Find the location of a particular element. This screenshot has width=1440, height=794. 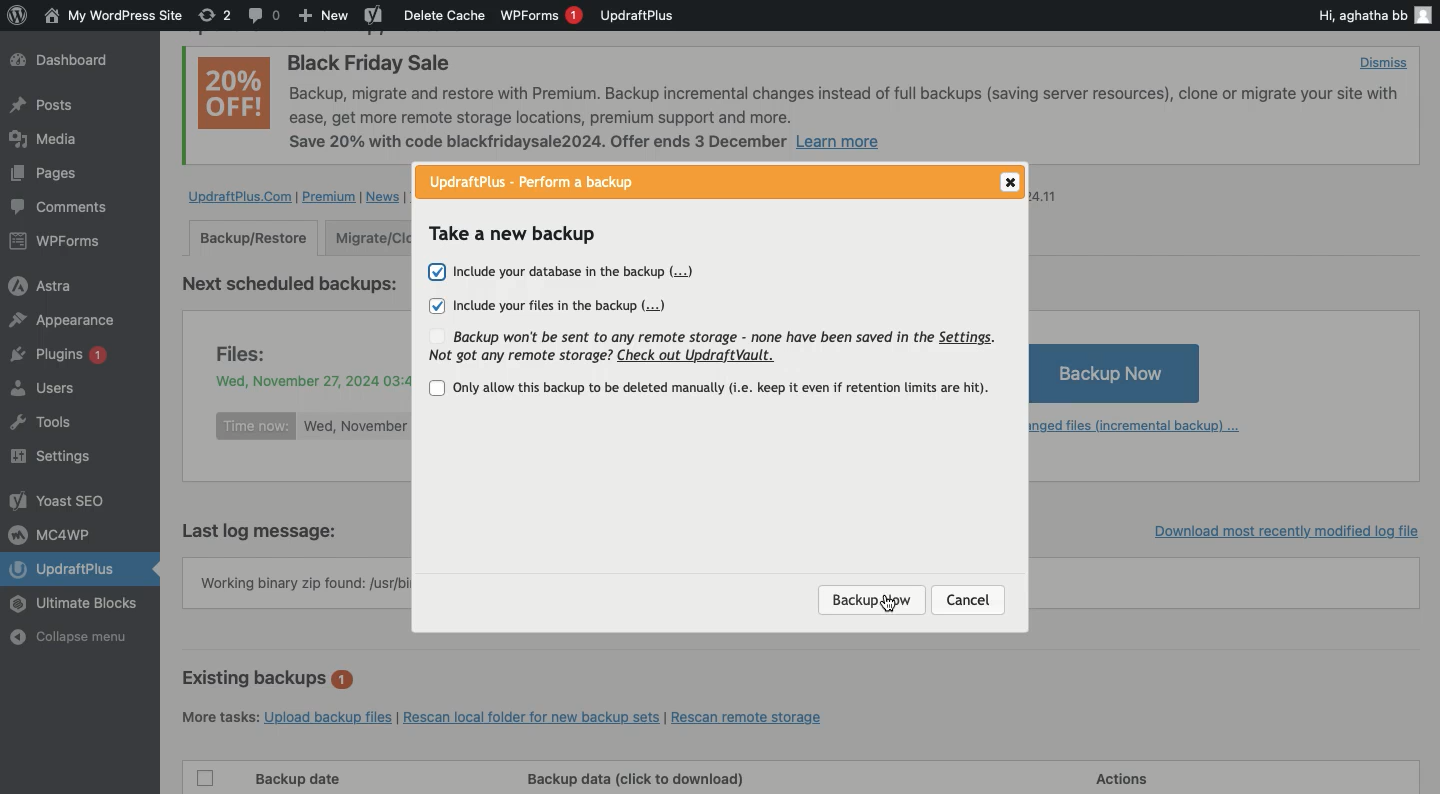

UpdraftPlus.com is located at coordinates (241, 196).